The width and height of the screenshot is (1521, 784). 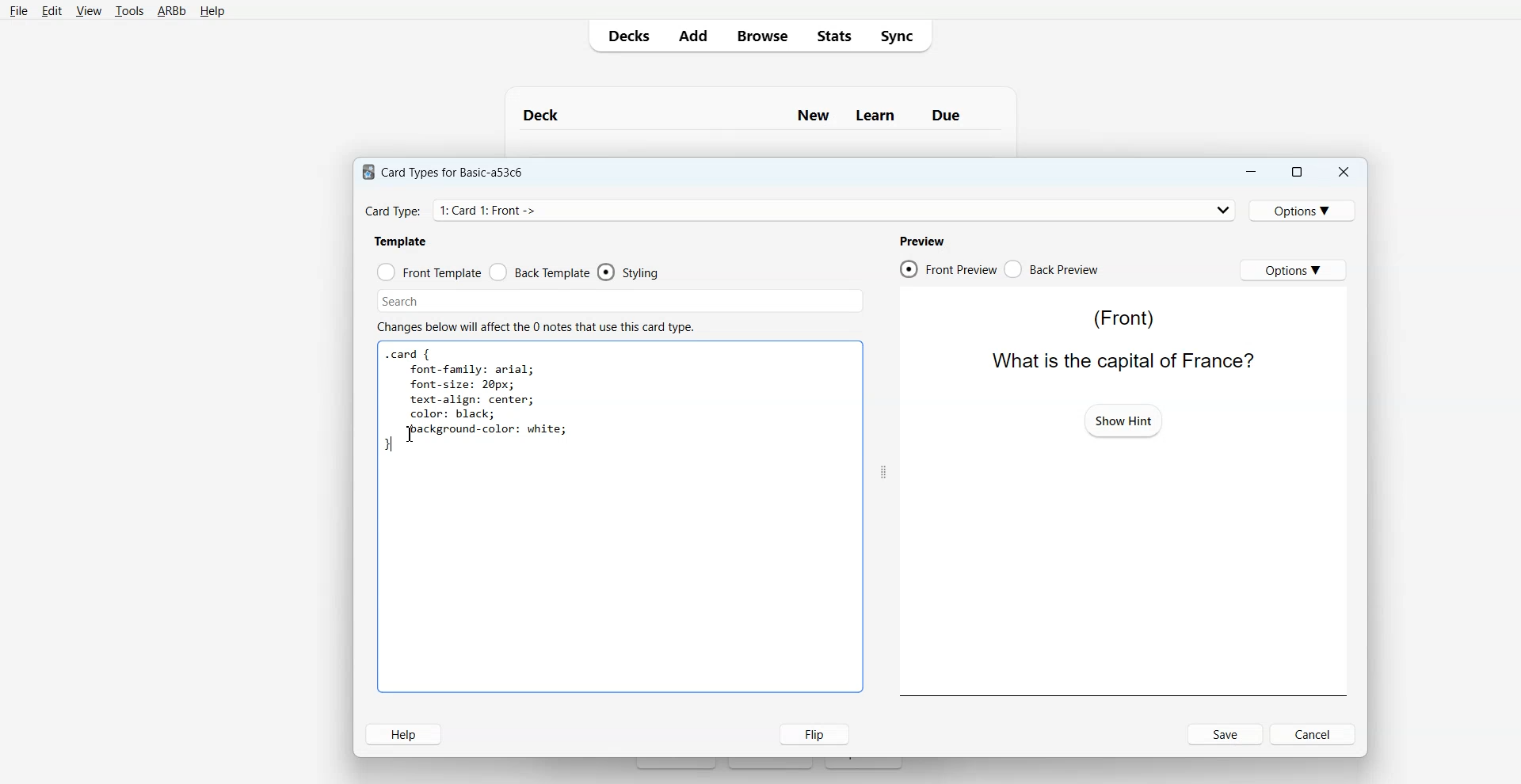 What do you see at coordinates (539, 272) in the screenshot?
I see `Back Template` at bounding box center [539, 272].